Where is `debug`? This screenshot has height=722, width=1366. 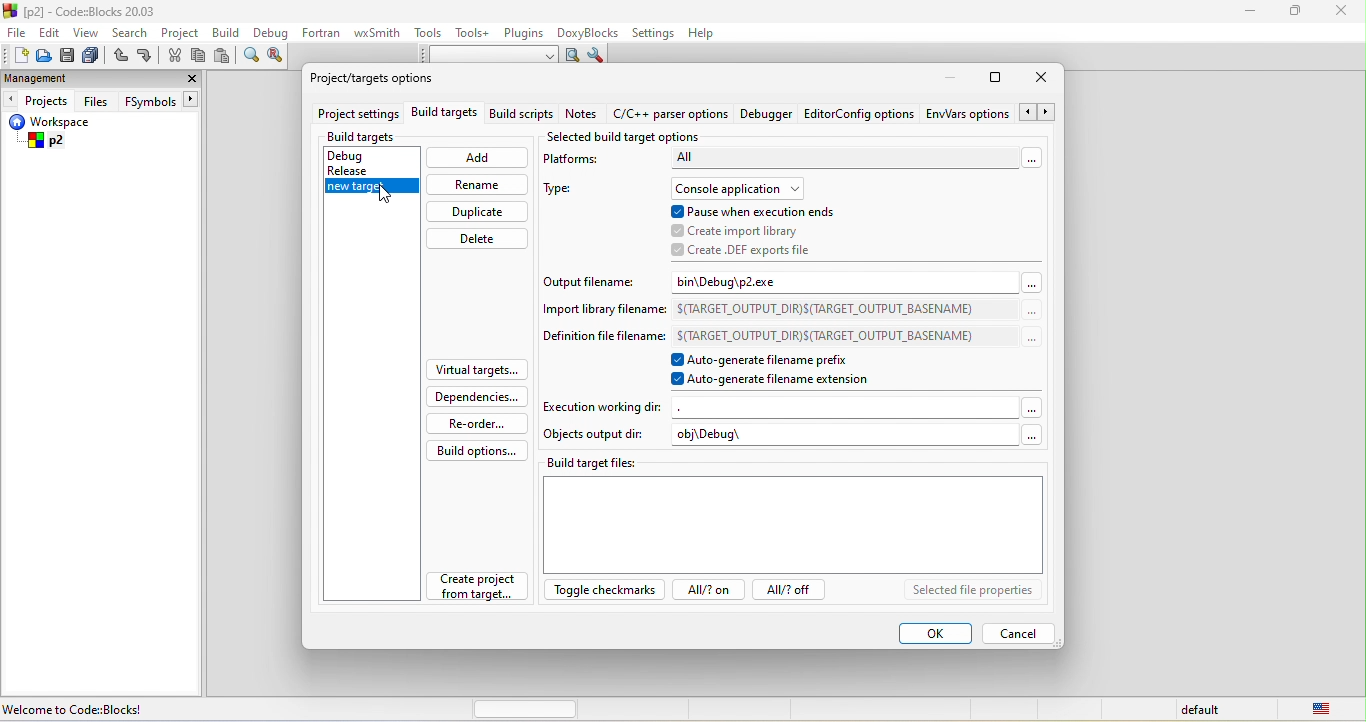 debug is located at coordinates (365, 153).